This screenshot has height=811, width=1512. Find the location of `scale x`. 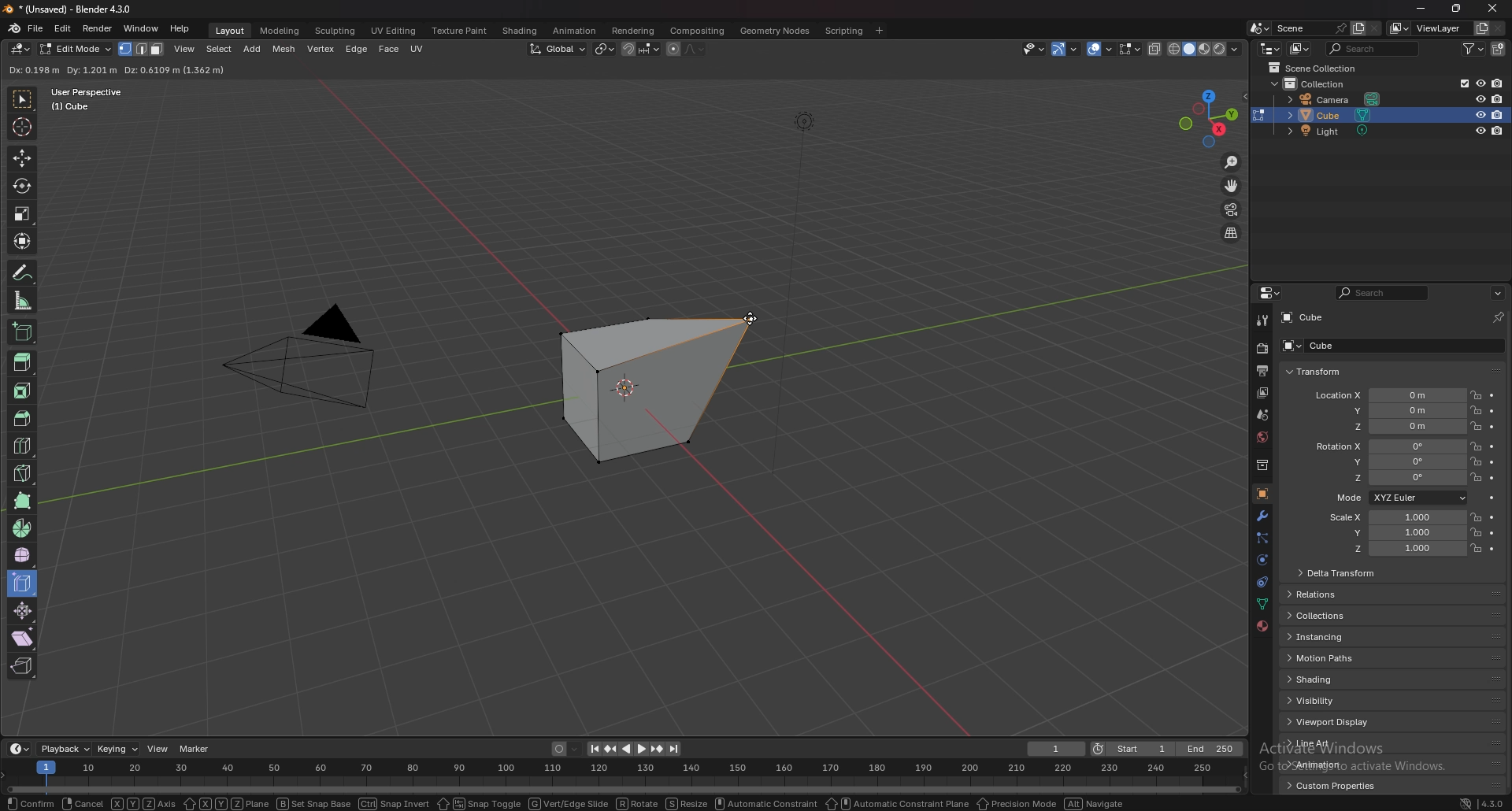

scale x is located at coordinates (1394, 517).